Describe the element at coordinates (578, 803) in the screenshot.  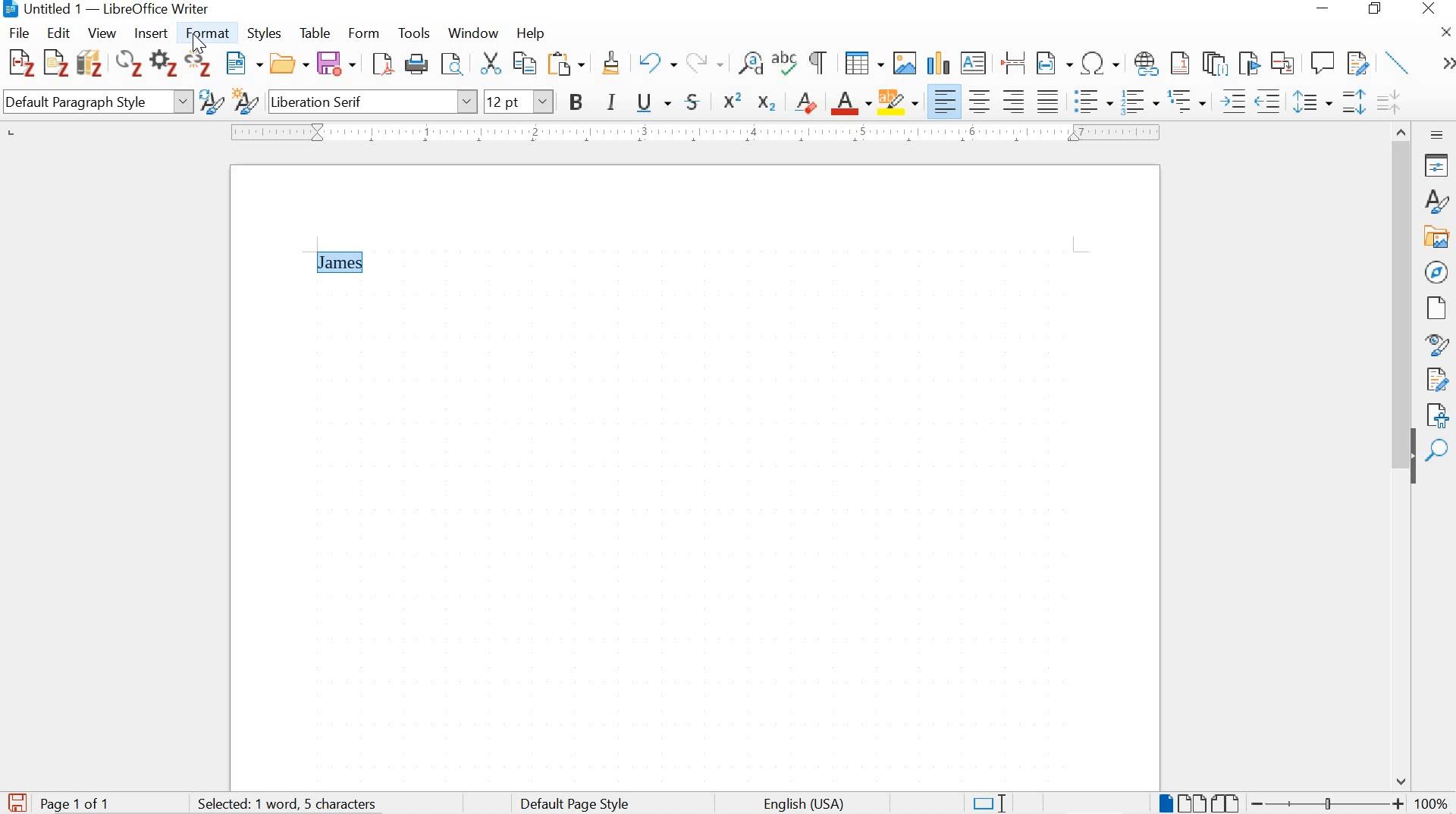
I see `default page style` at that location.